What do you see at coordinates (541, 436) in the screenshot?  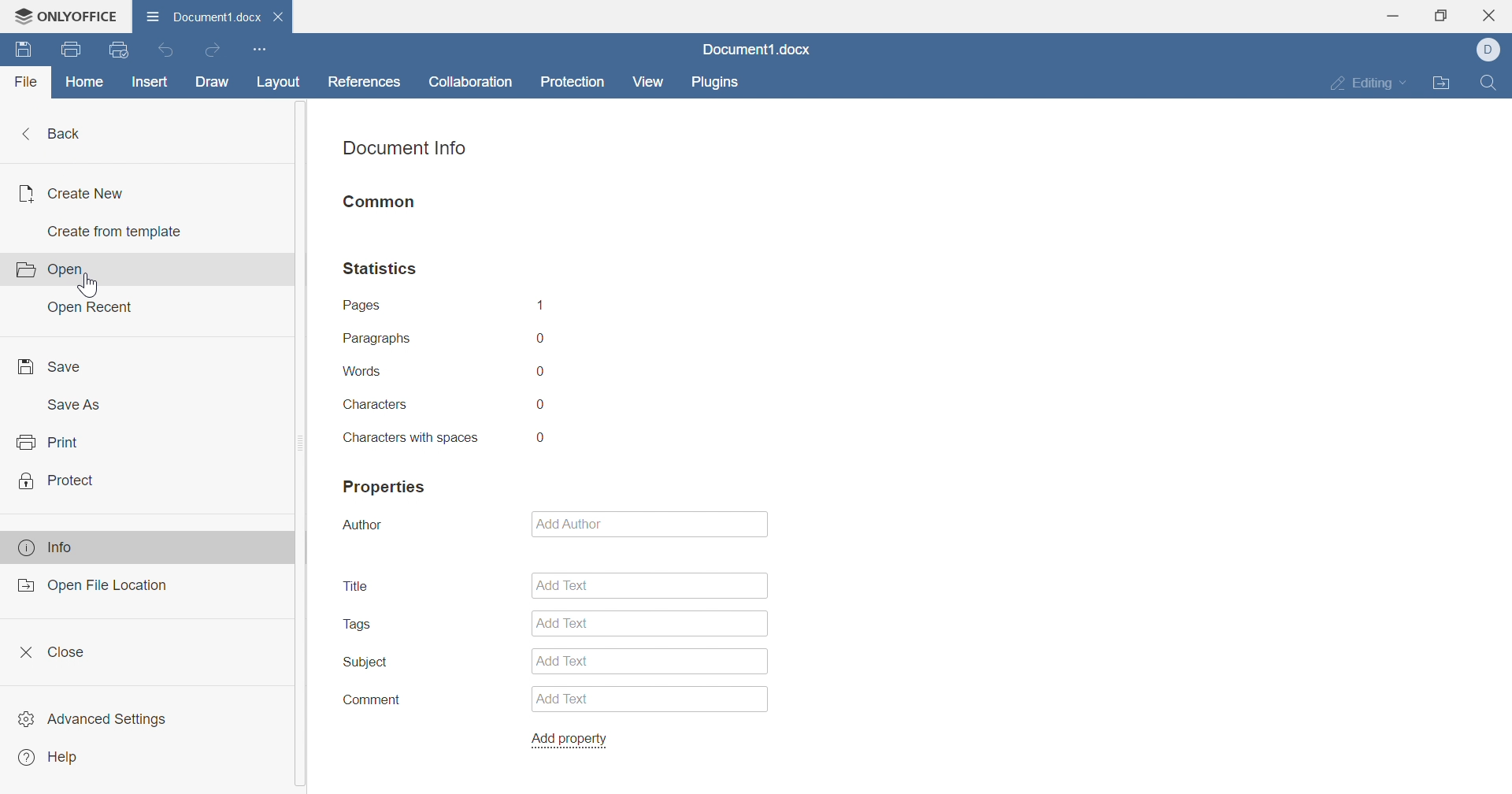 I see `0` at bounding box center [541, 436].